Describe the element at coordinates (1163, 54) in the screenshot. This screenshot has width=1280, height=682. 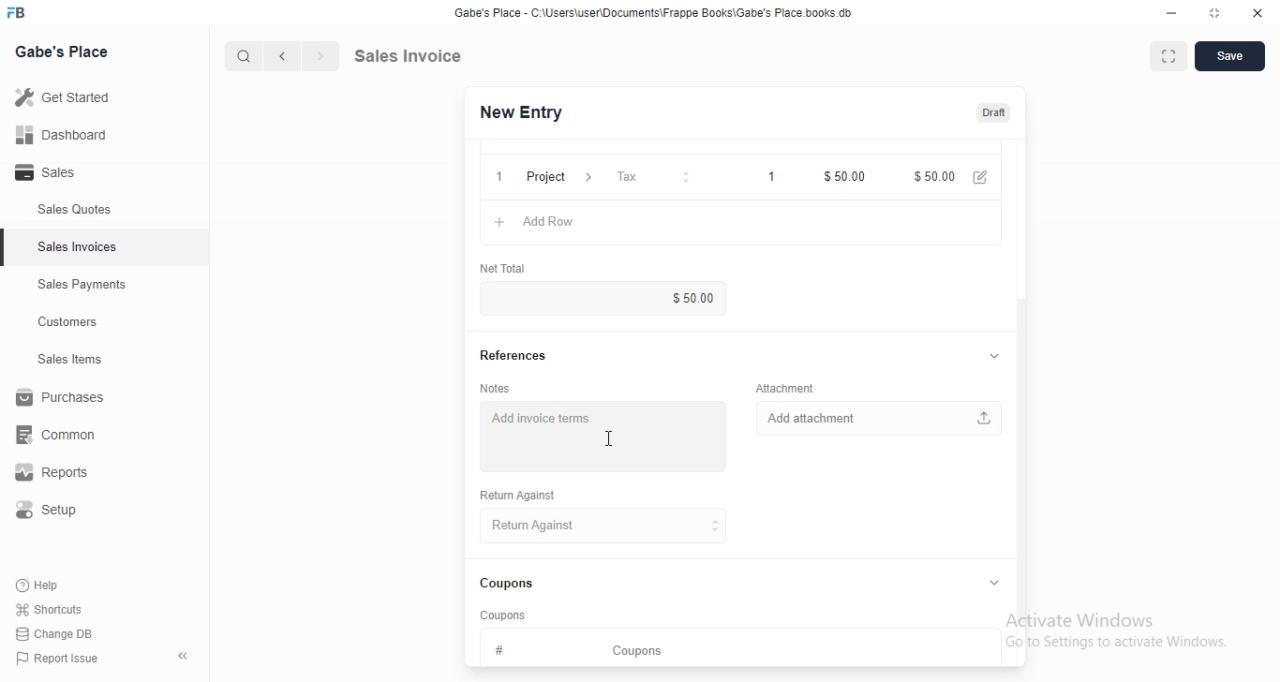
I see `maximise` at that location.